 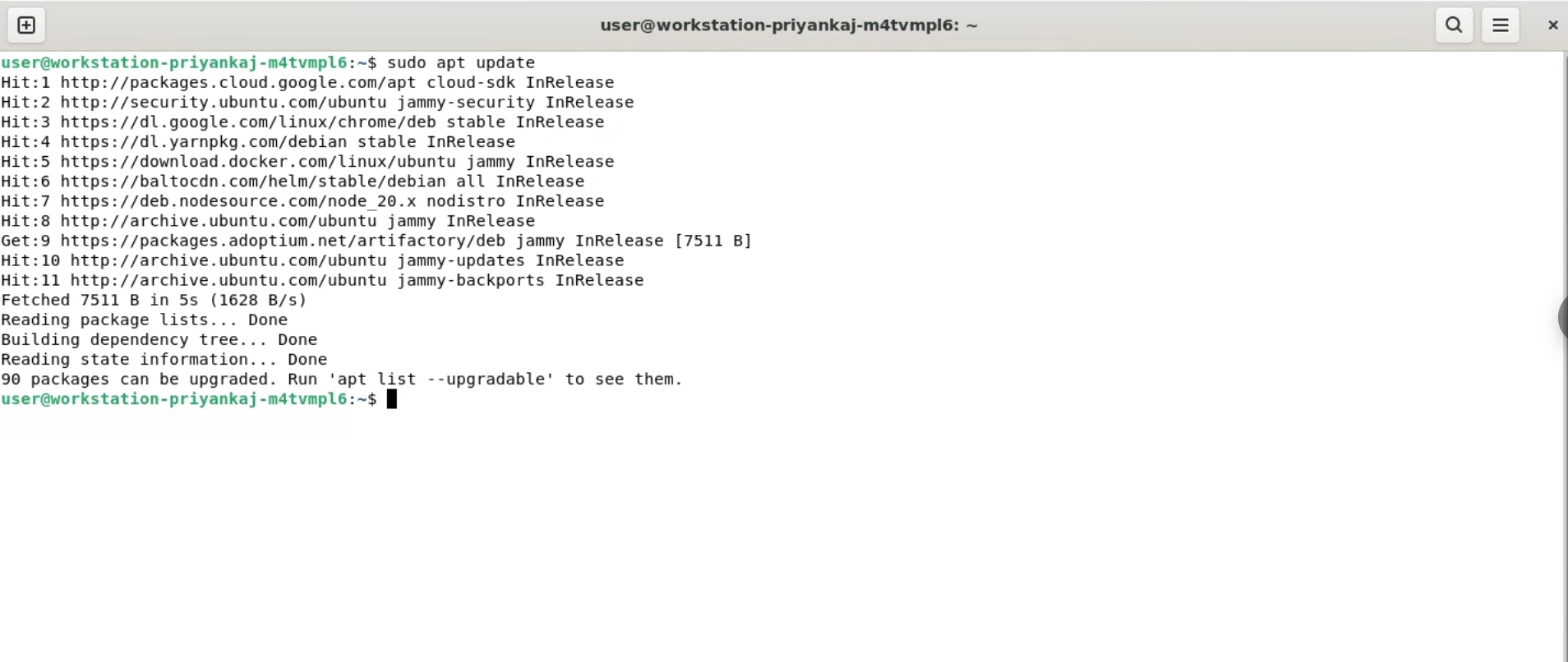 What do you see at coordinates (1455, 25) in the screenshot?
I see `search` at bounding box center [1455, 25].